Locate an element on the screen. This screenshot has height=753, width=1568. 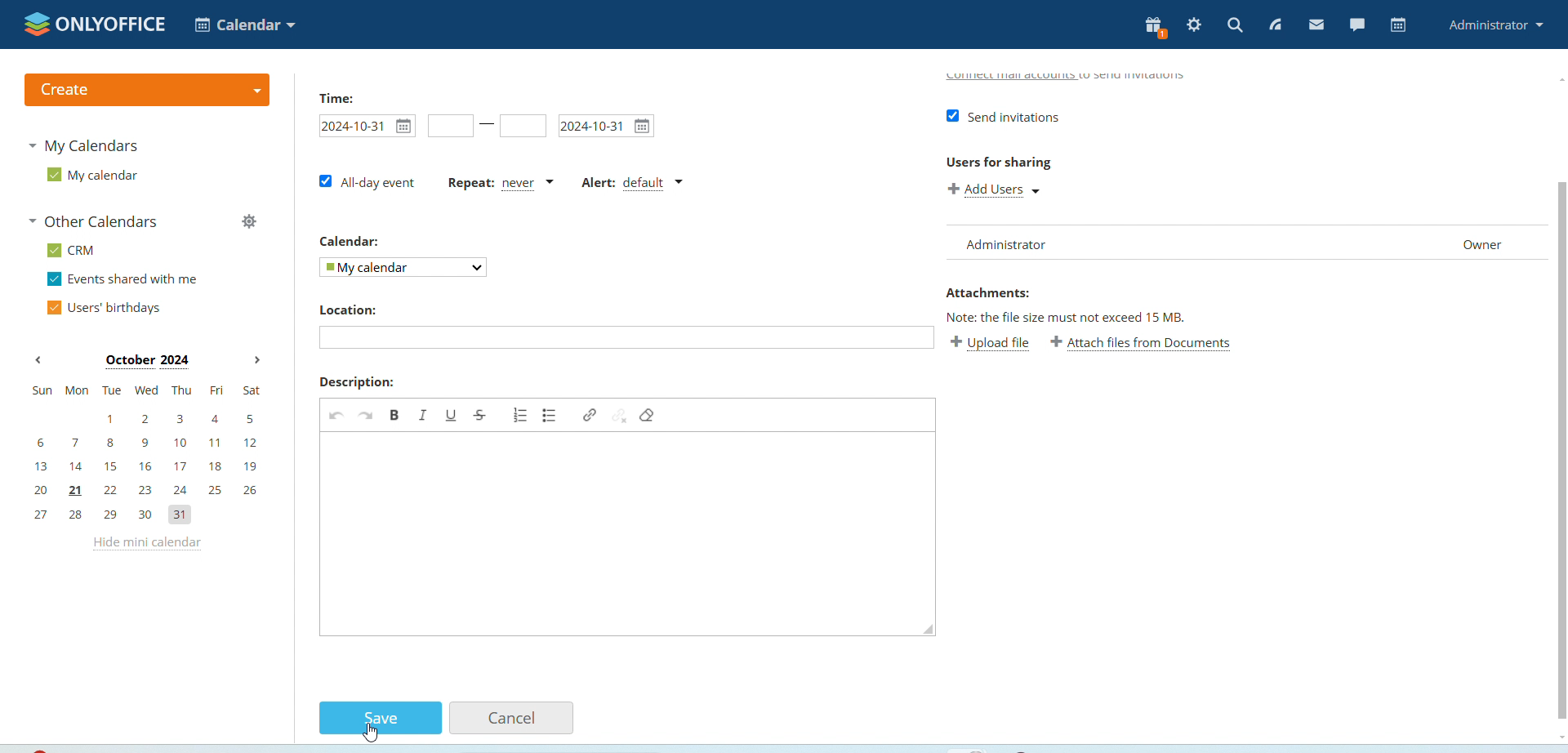
Send invitations is located at coordinates (1004, 116).